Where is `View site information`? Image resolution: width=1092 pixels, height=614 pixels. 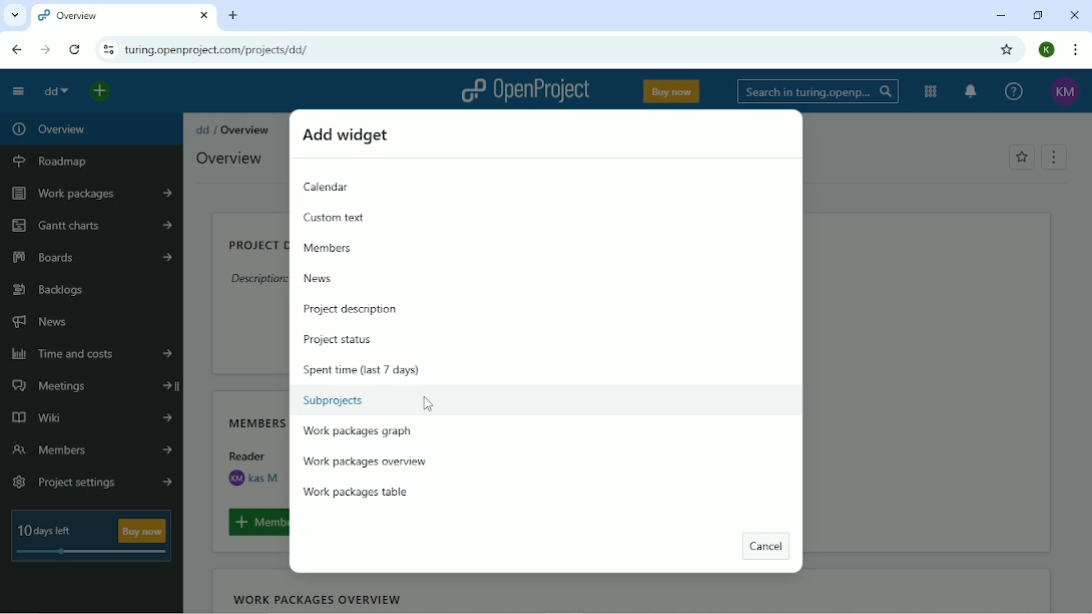
View site information is located at coordinates (109, 49).